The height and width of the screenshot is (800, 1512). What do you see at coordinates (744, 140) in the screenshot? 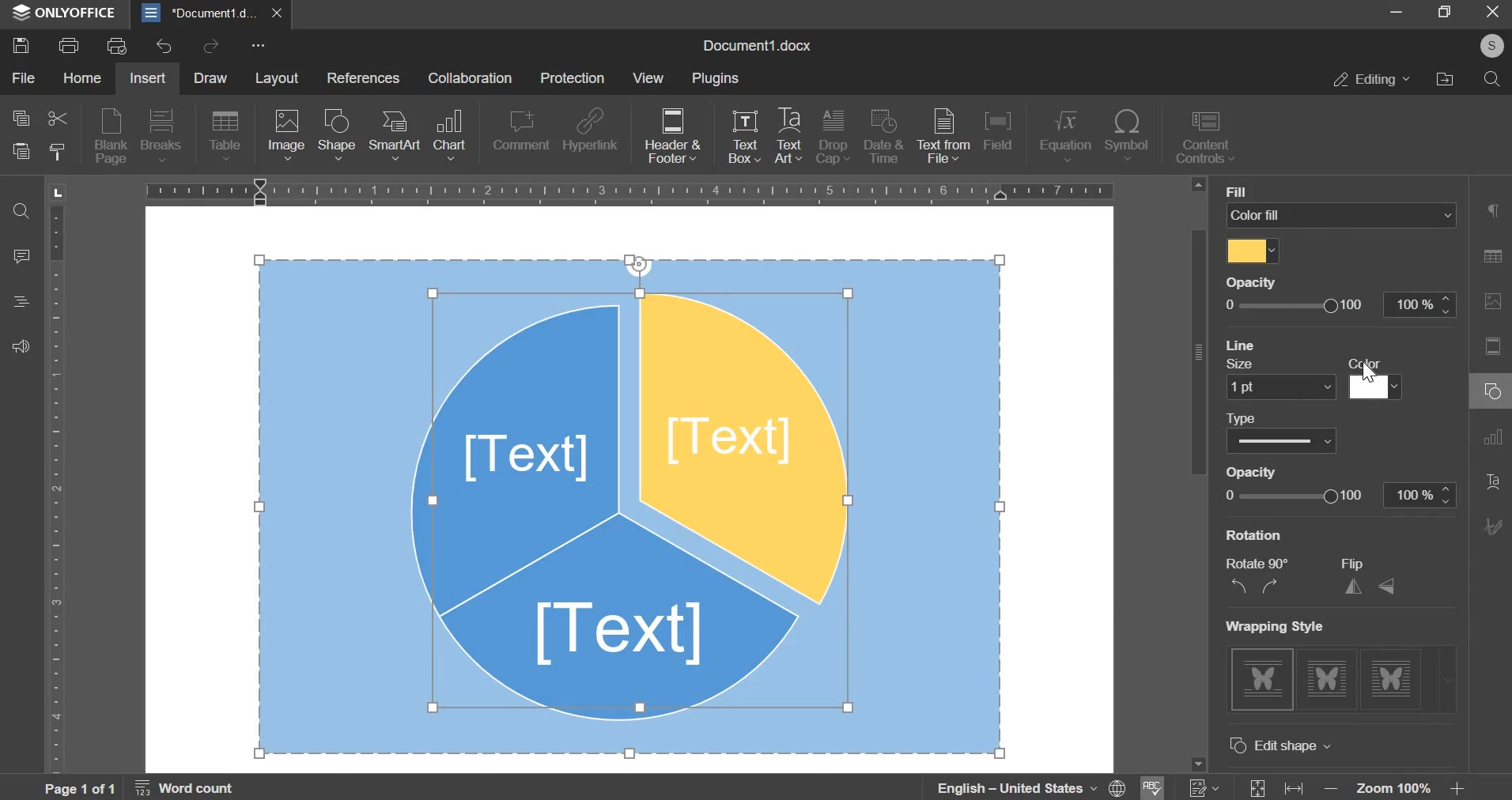
I see `text box` at bounding box center [744, 140].